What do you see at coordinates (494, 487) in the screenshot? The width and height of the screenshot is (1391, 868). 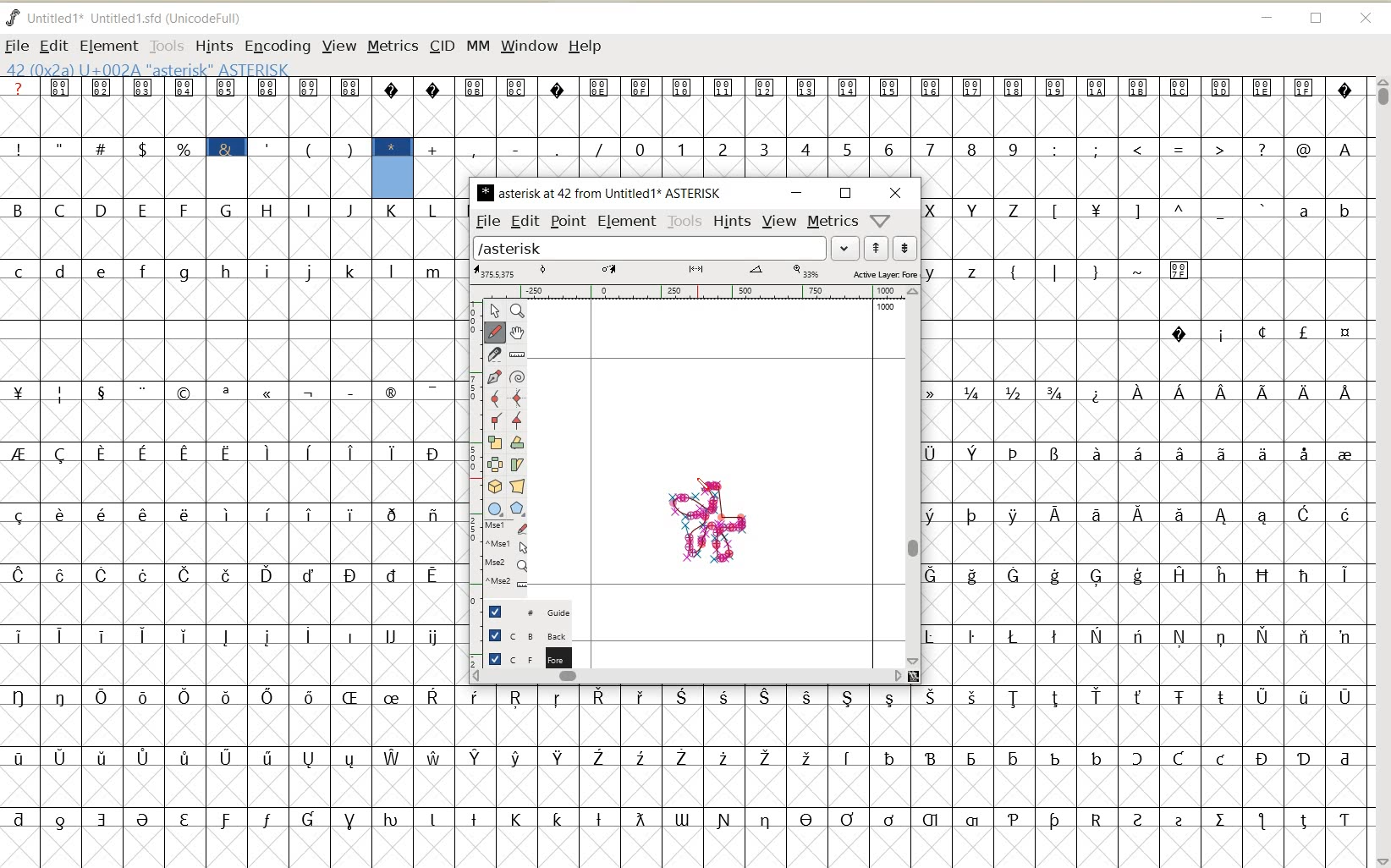 I see `rotate the selection in 3d and project back to plane` at bounding box center [494, 487].